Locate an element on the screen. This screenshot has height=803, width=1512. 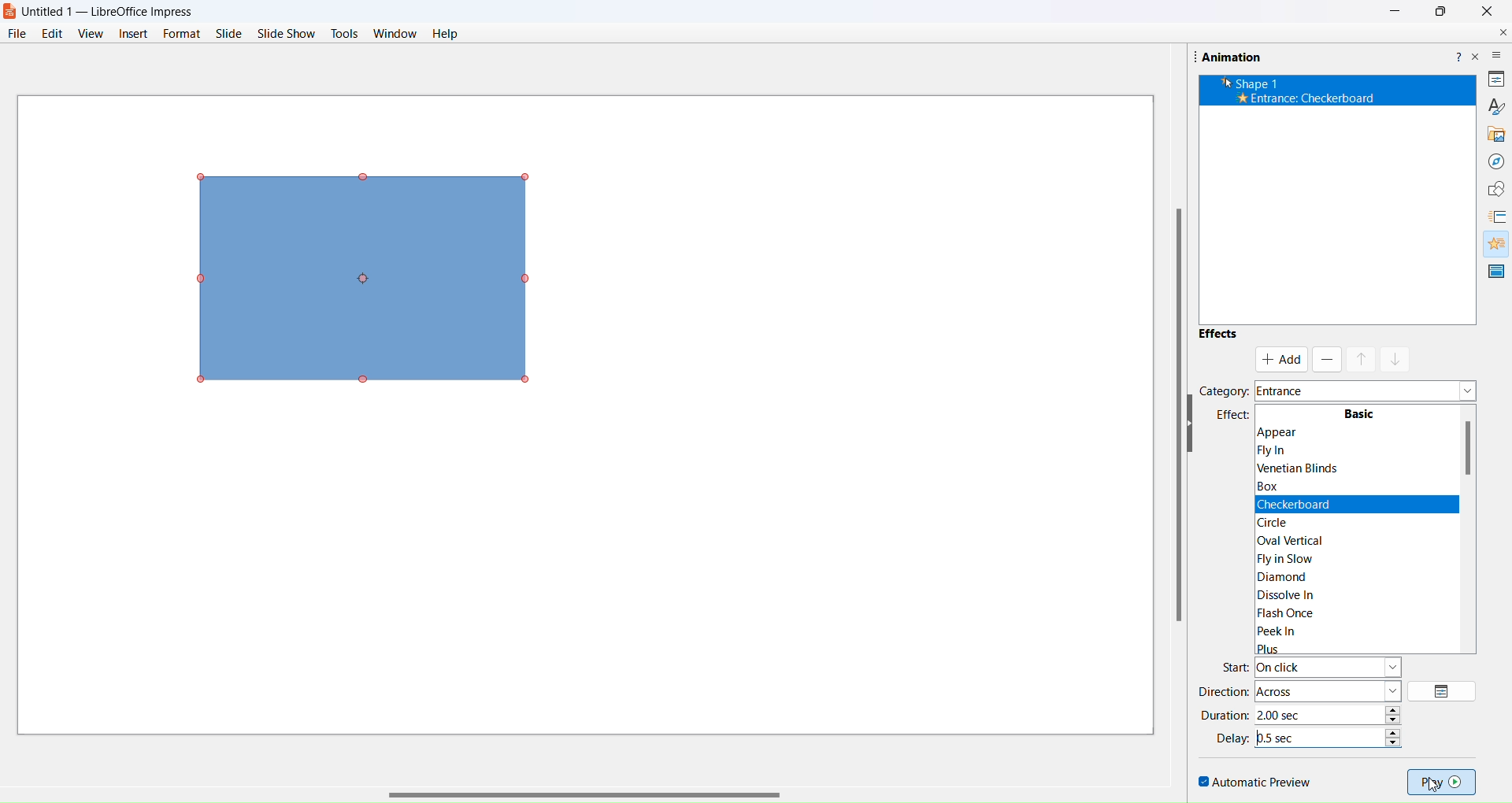
close pane is located at coordinates (1477, 61).